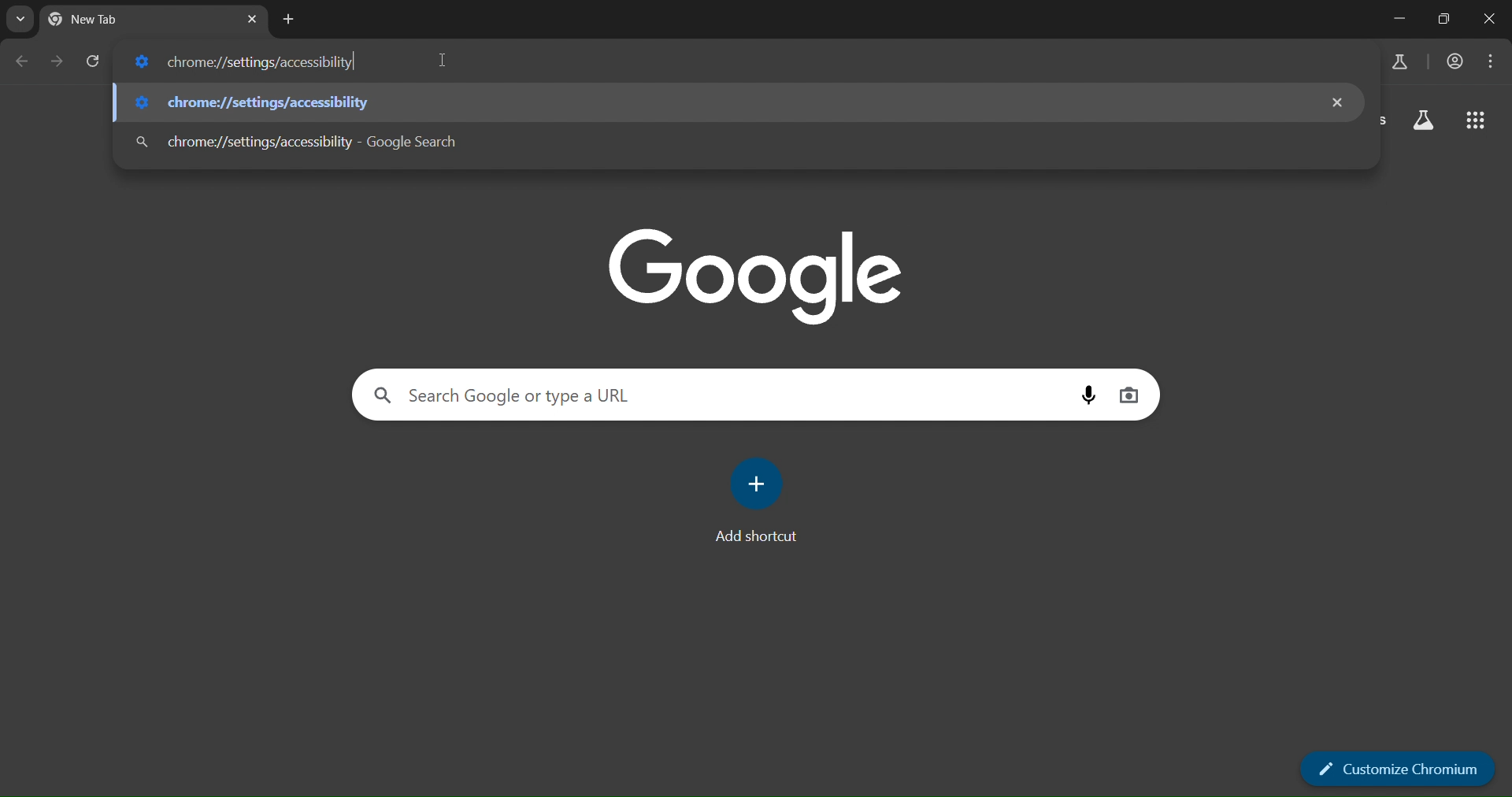 Image resolution: width=1512 pixels, height=797 pixels. I want to click on current tab, so click(110, 19).